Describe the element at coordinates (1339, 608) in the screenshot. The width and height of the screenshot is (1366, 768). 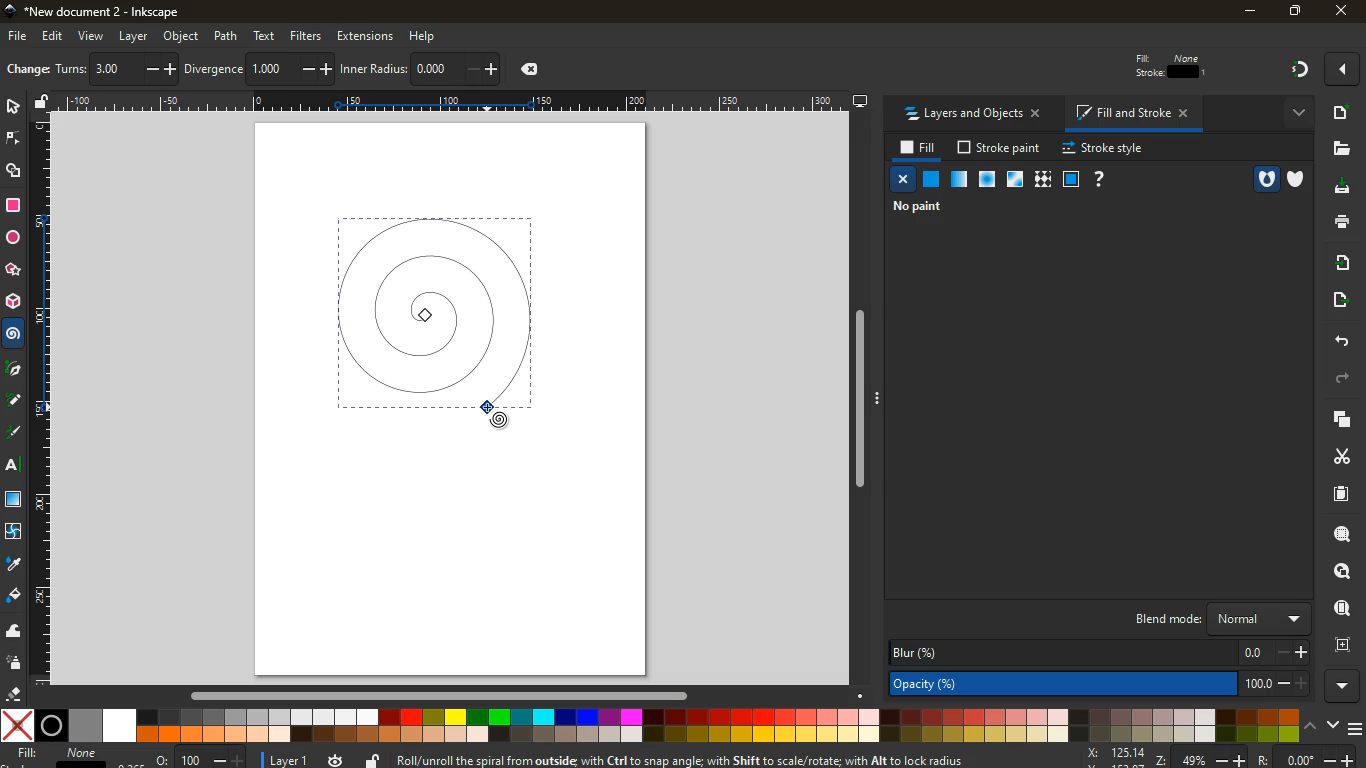
I see `find` at that location.